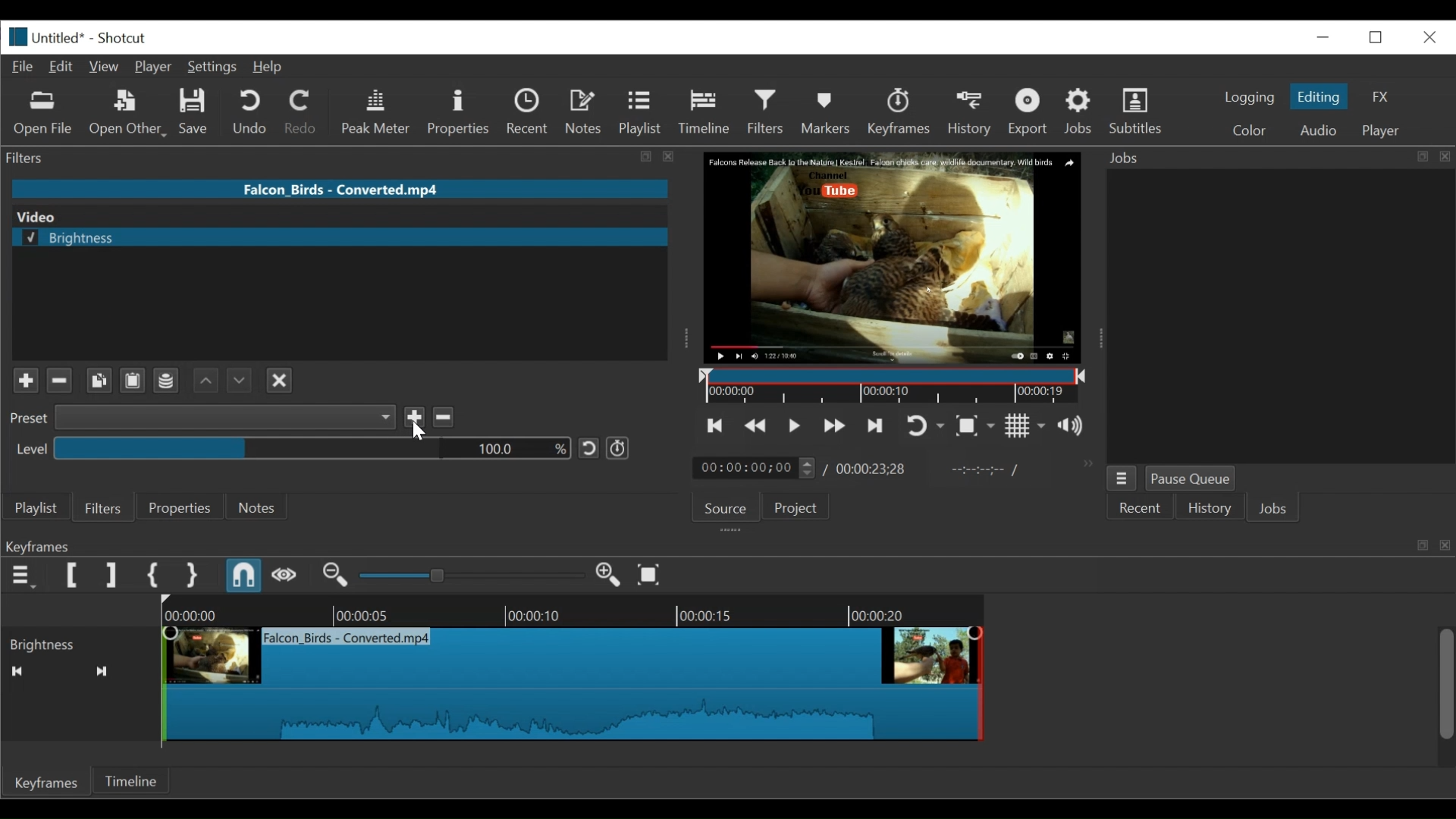  Describe the element at coordinates (794, 425) in the screenshot. I see `Toggle play or pause (space)` at that location.